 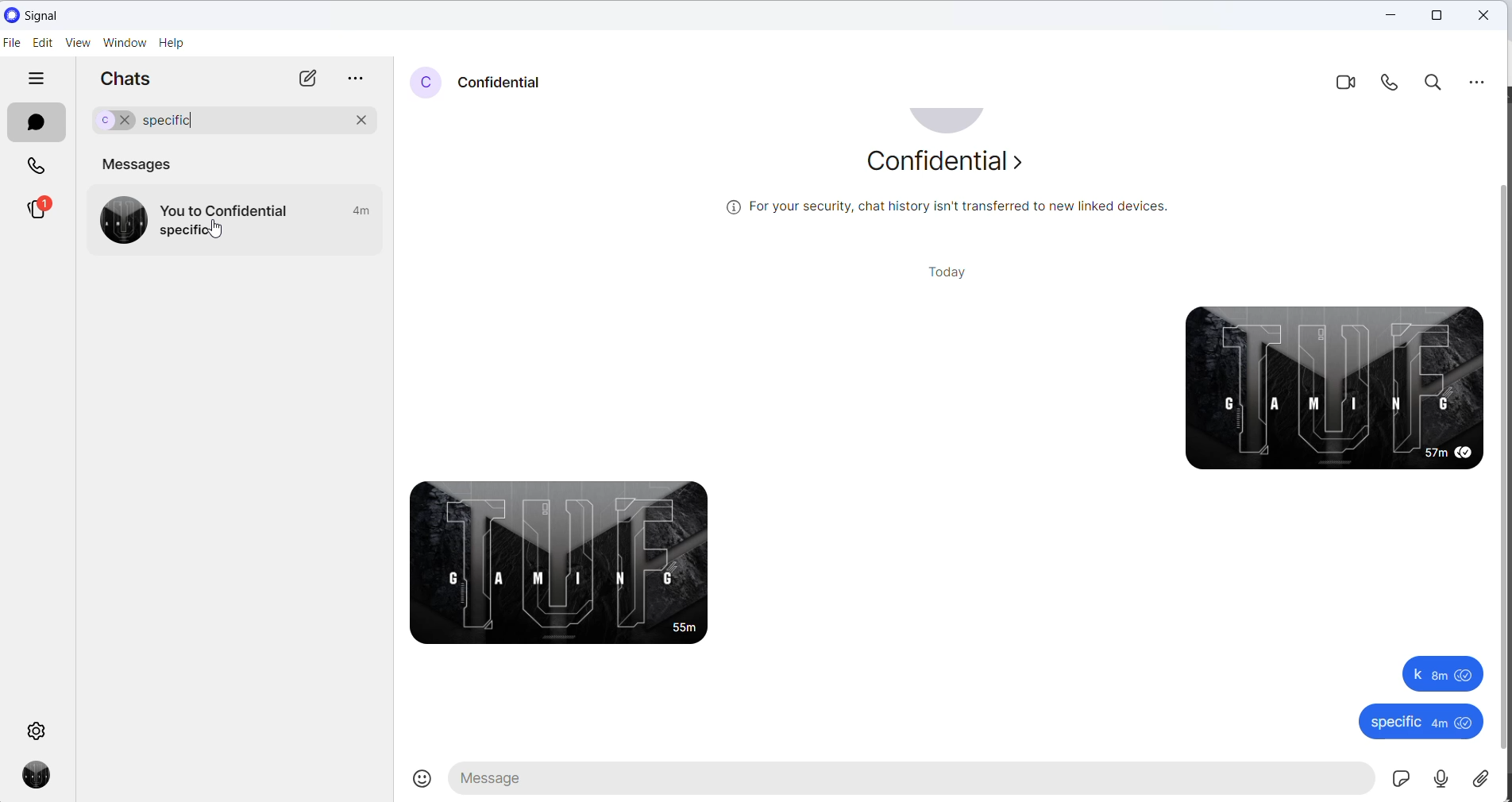 What do you see at coordinates (353, 81) in the screenshot?
I see `more options` at bounding box center [353, 81].